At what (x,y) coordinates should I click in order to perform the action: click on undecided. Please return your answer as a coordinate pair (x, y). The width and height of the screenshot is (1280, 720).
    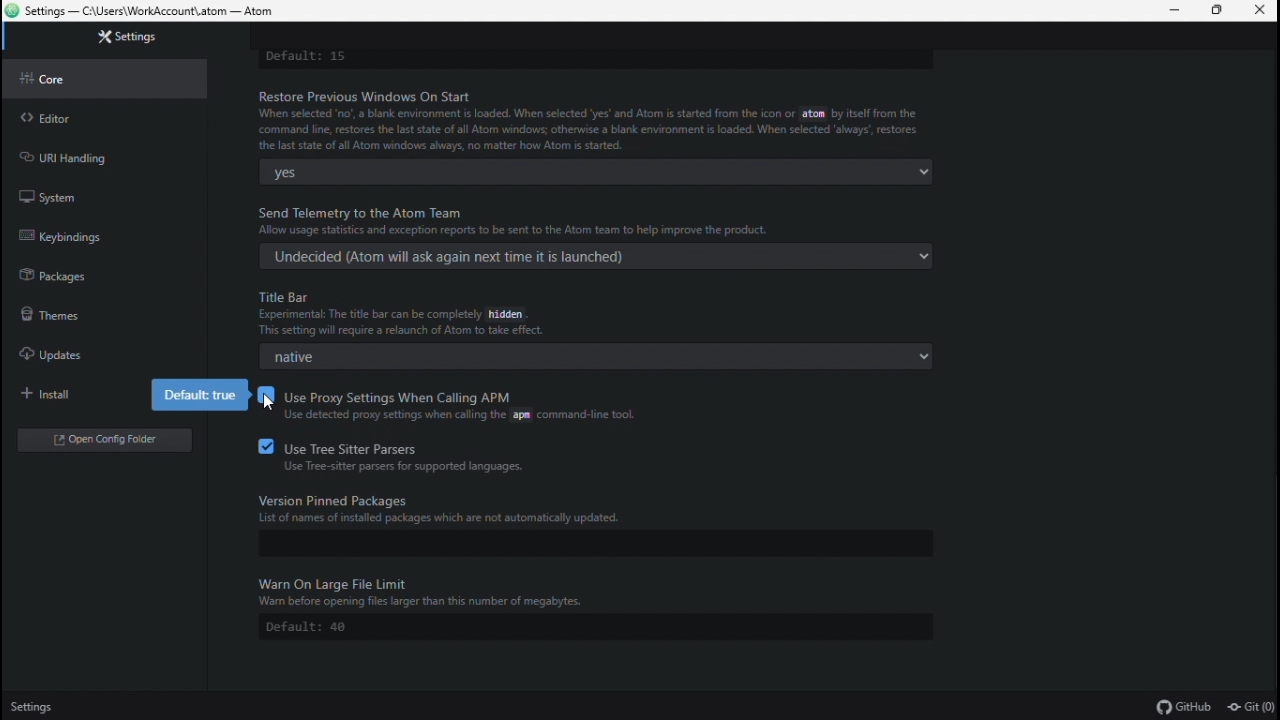
    Looking at the image, I should click on (591, 255).